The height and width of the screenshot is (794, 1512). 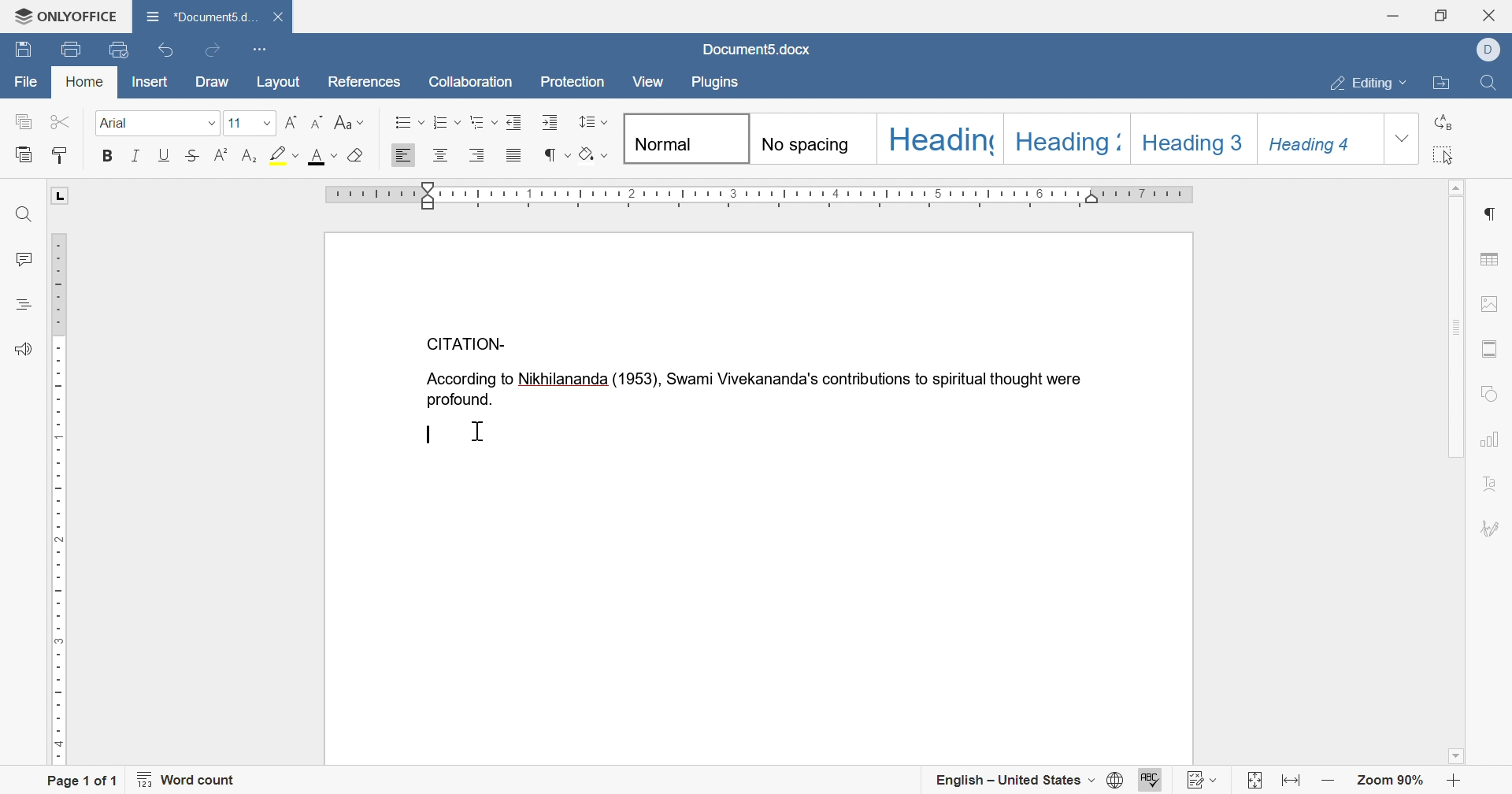 I want to click on quick print, so click(x=116, y=50).